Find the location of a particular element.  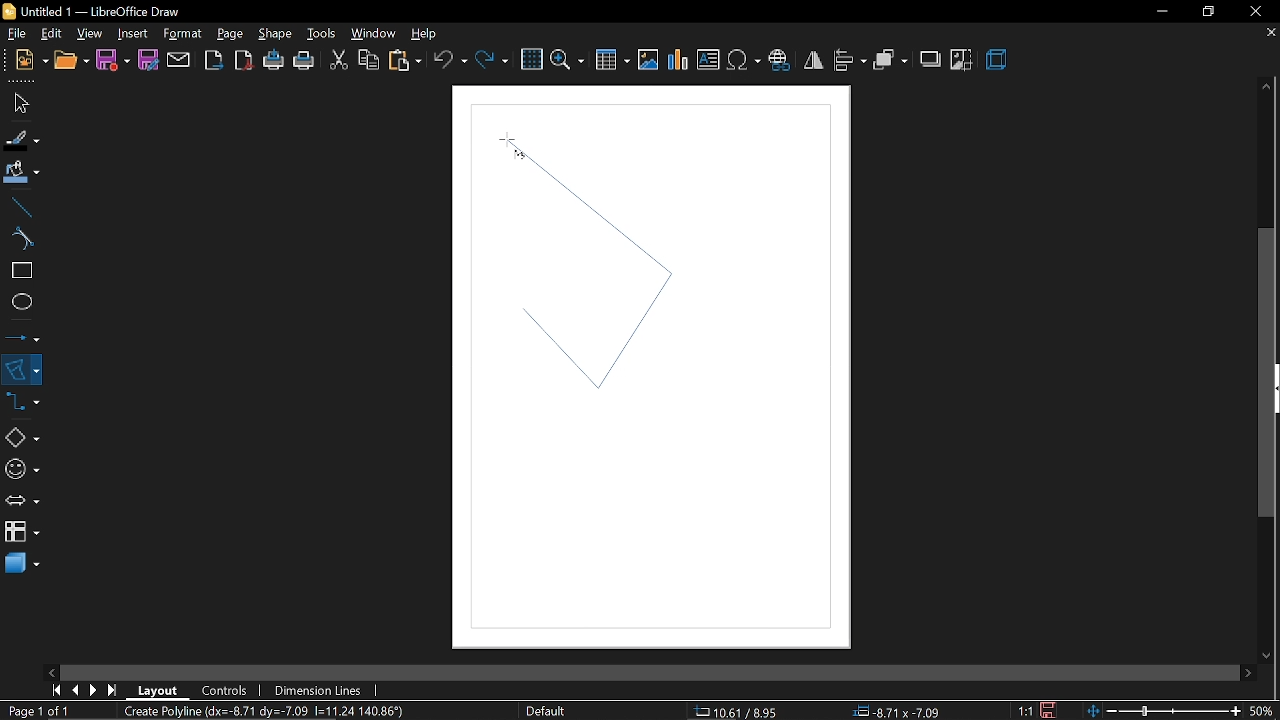

move left is located at coordinates (51, 671).